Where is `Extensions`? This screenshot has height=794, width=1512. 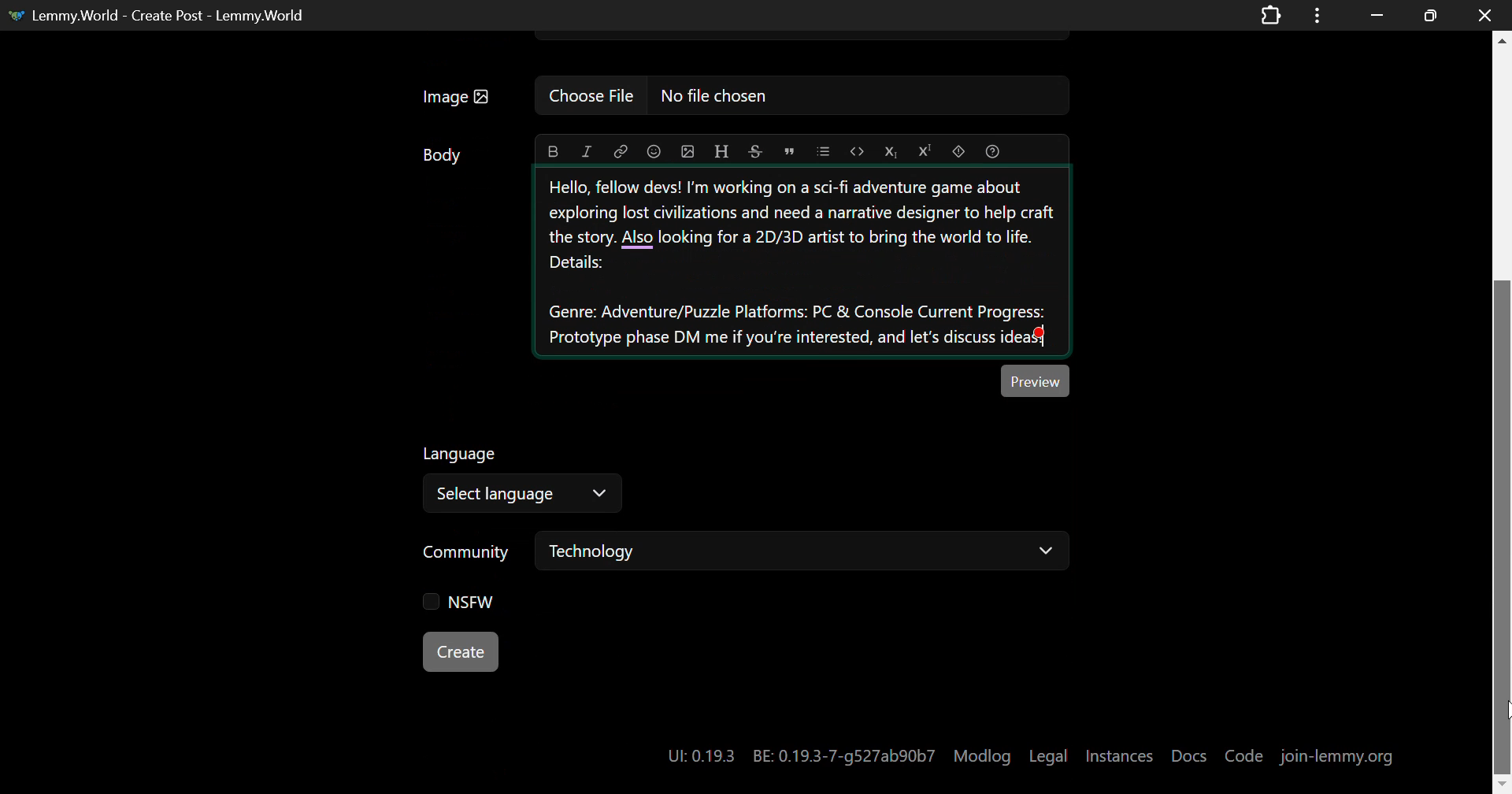 Extensions is located at coordinates (1270, 14).